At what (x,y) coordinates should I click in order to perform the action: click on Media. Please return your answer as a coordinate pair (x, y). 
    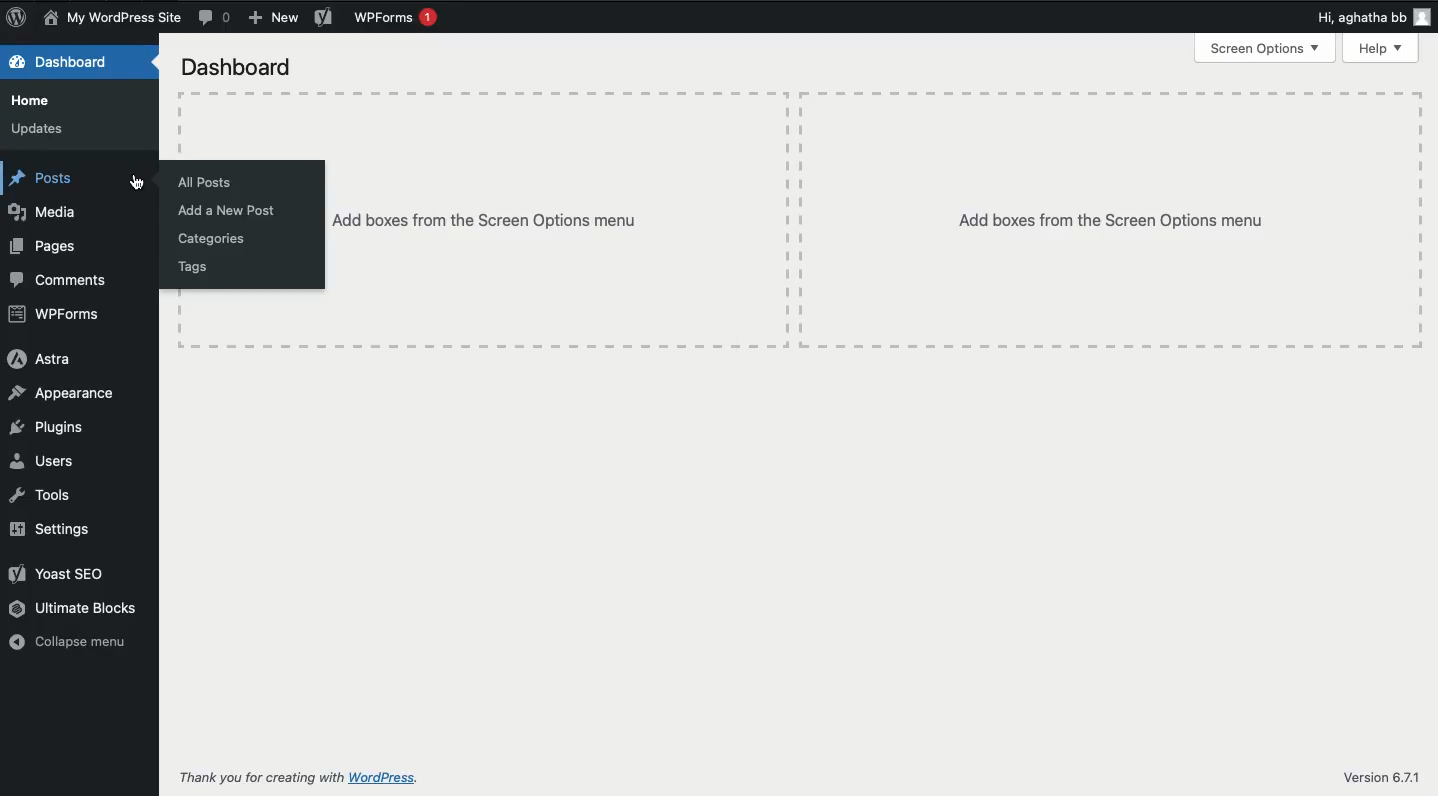
    Looking at the image, I should click on (45, 214).